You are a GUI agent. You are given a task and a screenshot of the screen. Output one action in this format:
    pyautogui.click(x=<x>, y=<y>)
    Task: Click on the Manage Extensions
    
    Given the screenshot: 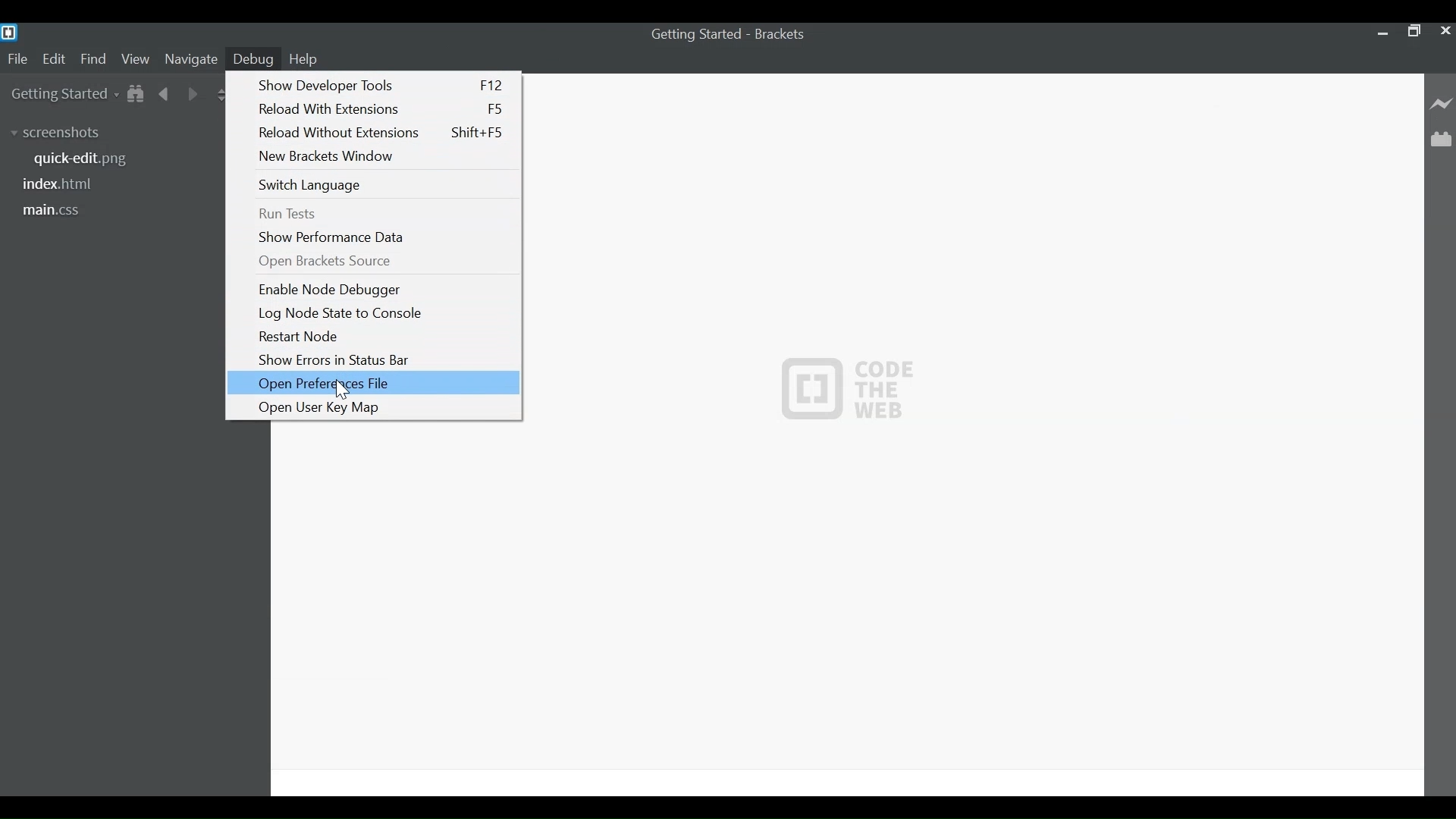 What is the action you would take?
    pyautogui.click(x=1441, y=140)
    